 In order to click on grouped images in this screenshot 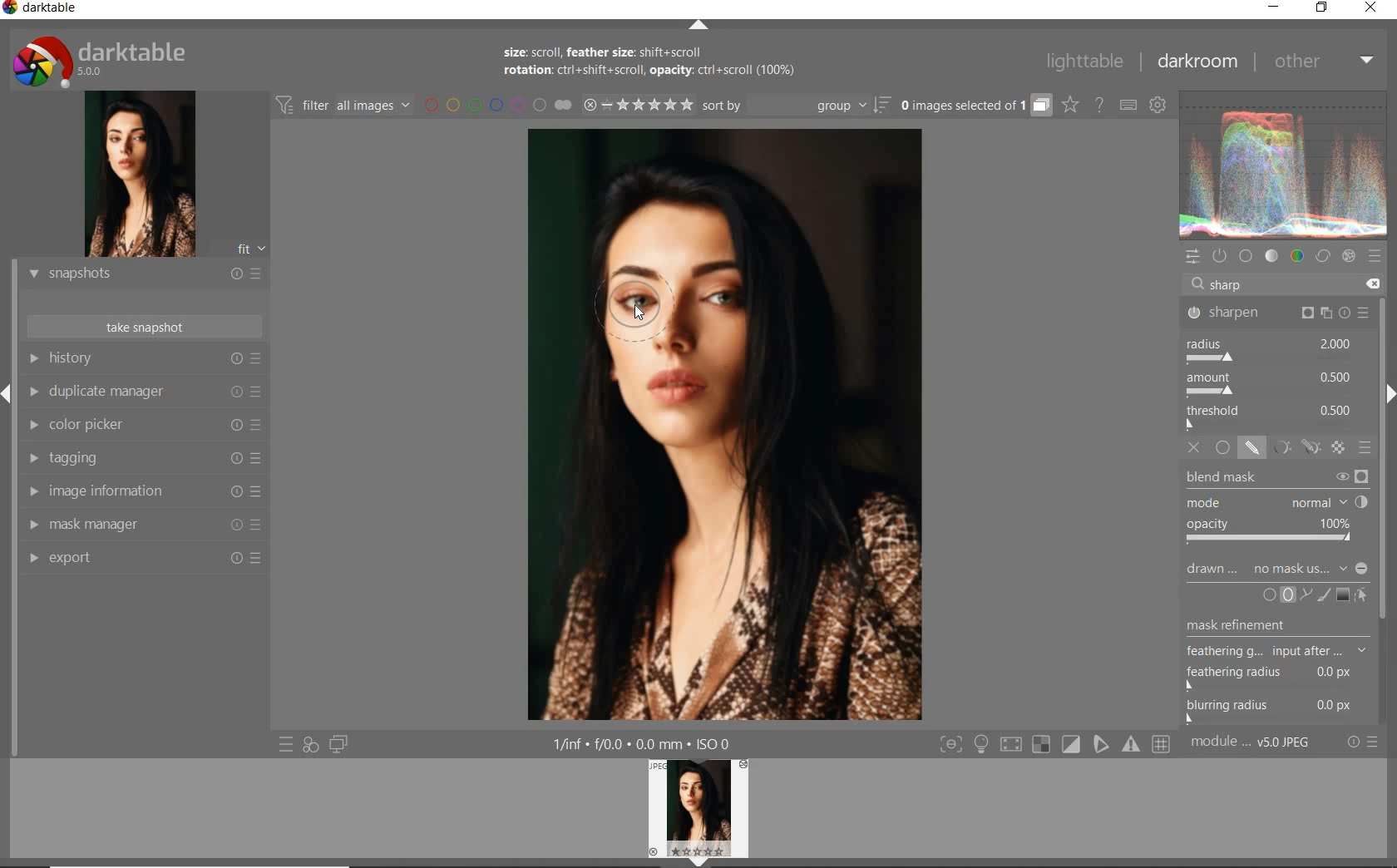, I will do `click(976, 106)`.